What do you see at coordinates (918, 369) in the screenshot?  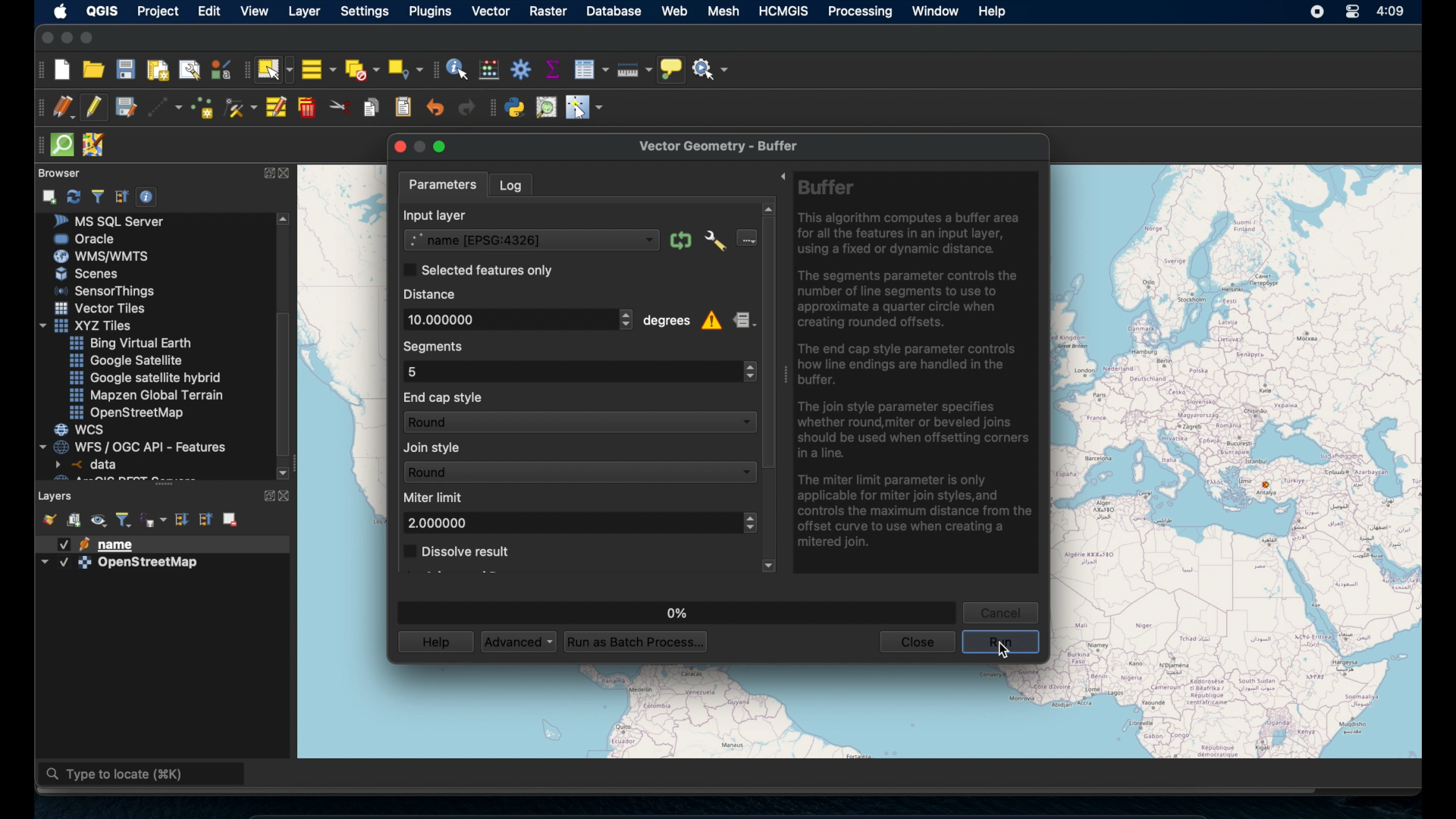 I see `Buffer

This algorithm computes a buffer area
for all the features in an input layer,
using a fixed or dynamic distance.

The segments parameter controls the
number of line segments to use to
approximate a quarter circle when
creating rounded offsets.

The end cap style parameter controls
how line endings are handled in the
buffer.

The join style parameter specifies
whether round, miter or beveled joins
should be used when offsetting corners
ina line.

The miter limit parameter is only
applicable for miter join styles,and
controls the maximum distance from the
offset curve to use when creating a
mitered join.` at bounding box center [918, 369].